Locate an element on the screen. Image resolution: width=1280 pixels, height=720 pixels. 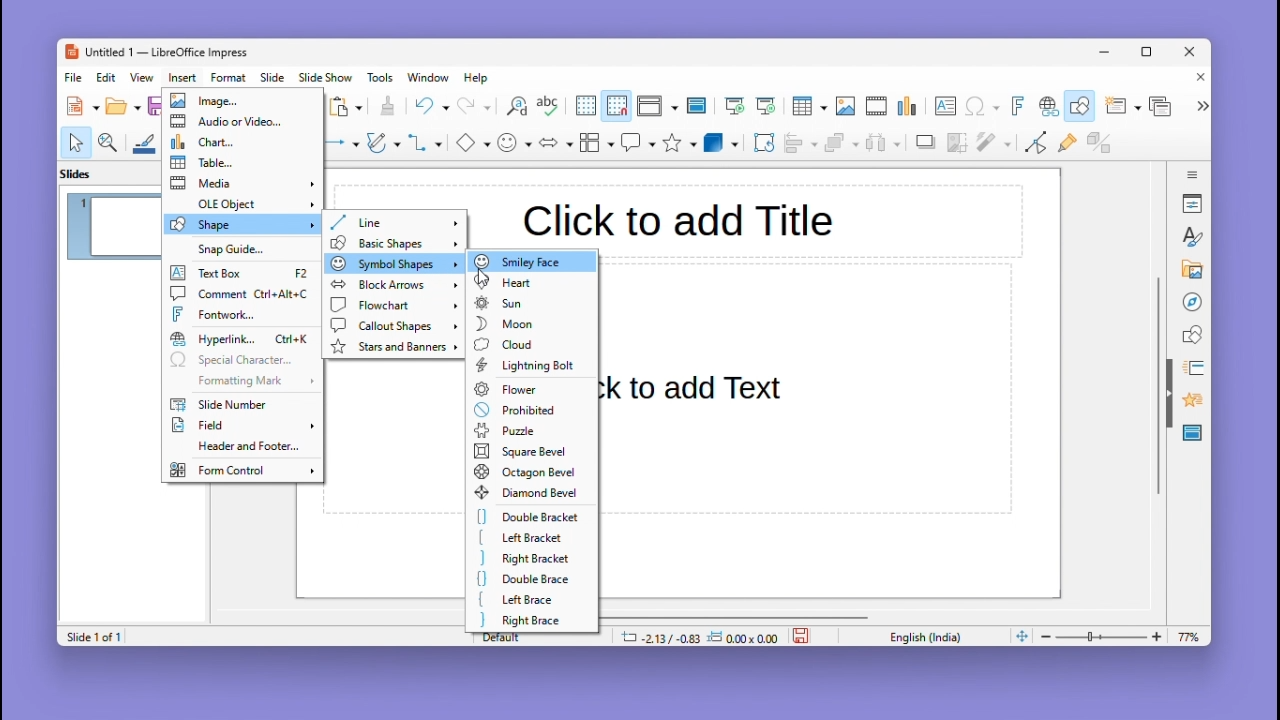
Right bracket is located at coordinates (527, 559).